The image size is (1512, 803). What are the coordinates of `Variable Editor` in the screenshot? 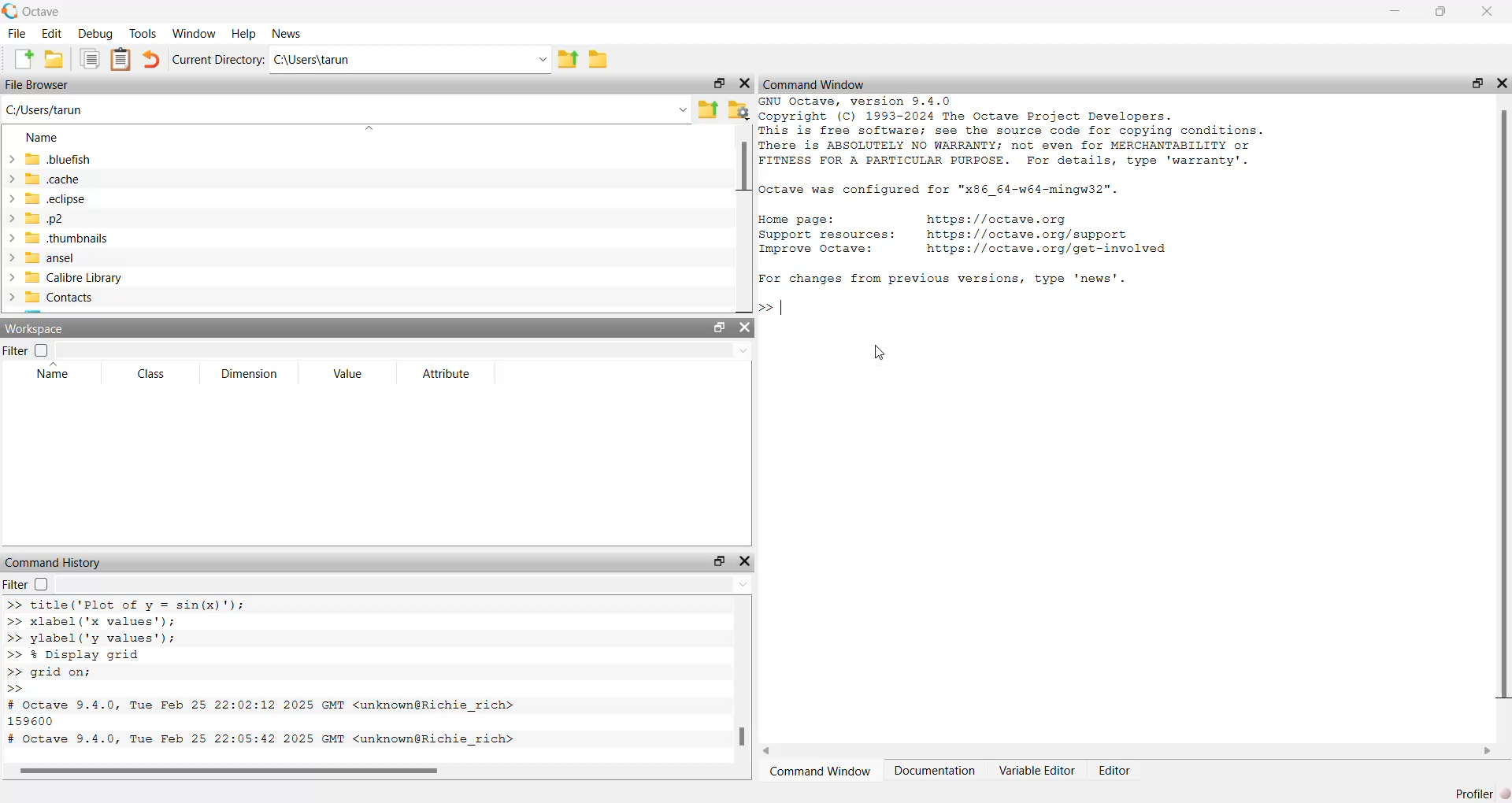 It's located at (1036, 771).